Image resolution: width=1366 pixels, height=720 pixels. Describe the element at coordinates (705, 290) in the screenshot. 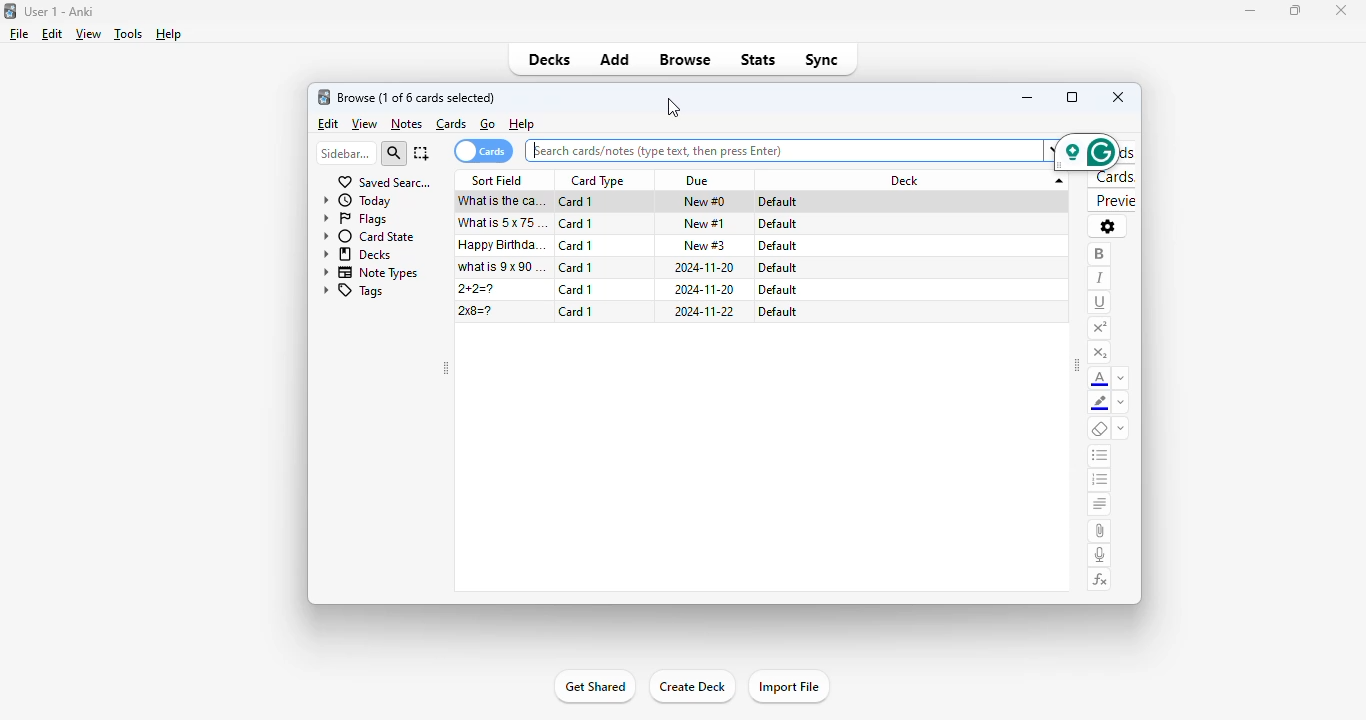

I see `2024-11-20` at that location.